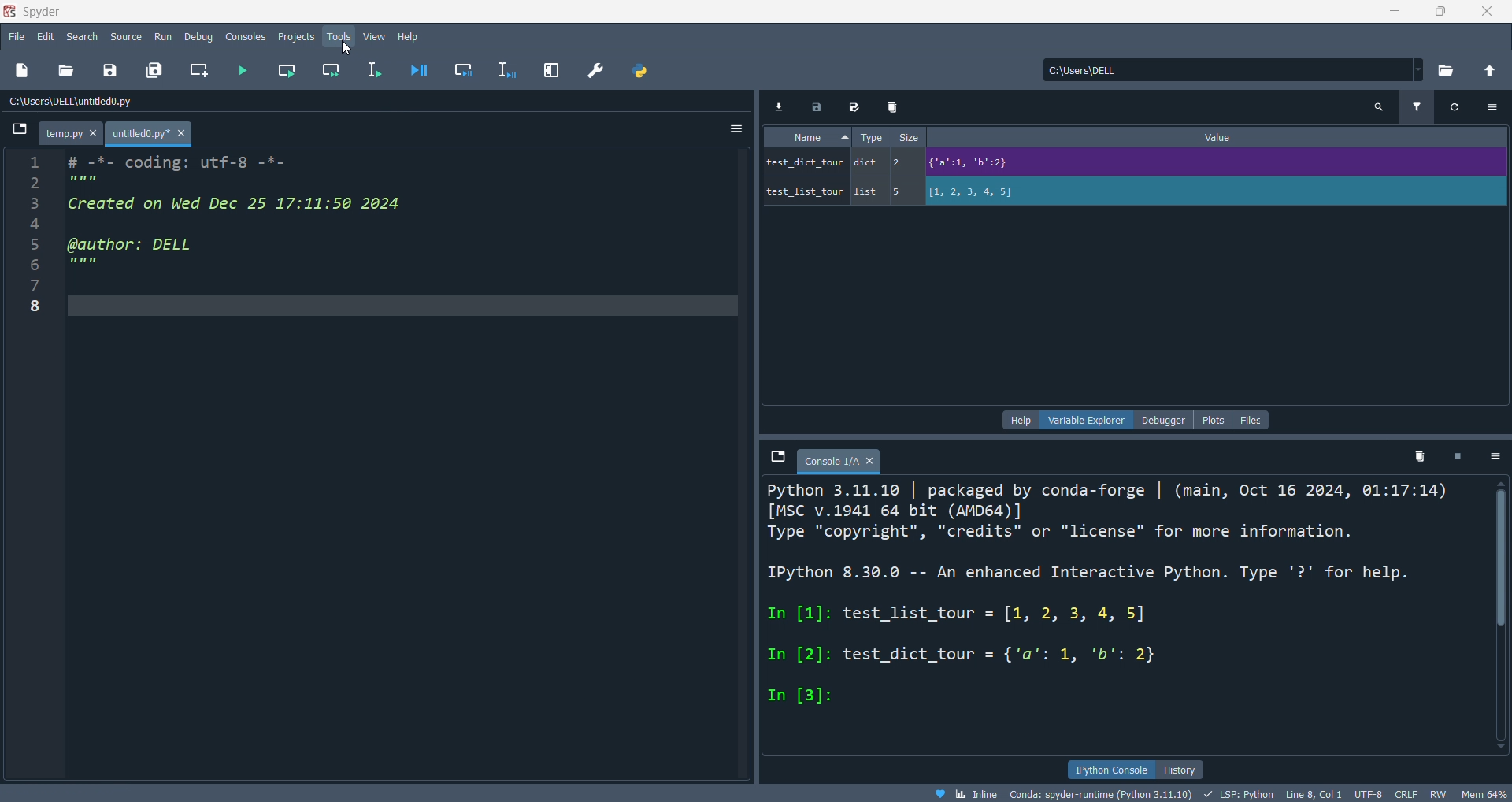  What do you see at coordinates (1495, 111) in the screenshot?
I see `options` at bounding box center [1495, 111].